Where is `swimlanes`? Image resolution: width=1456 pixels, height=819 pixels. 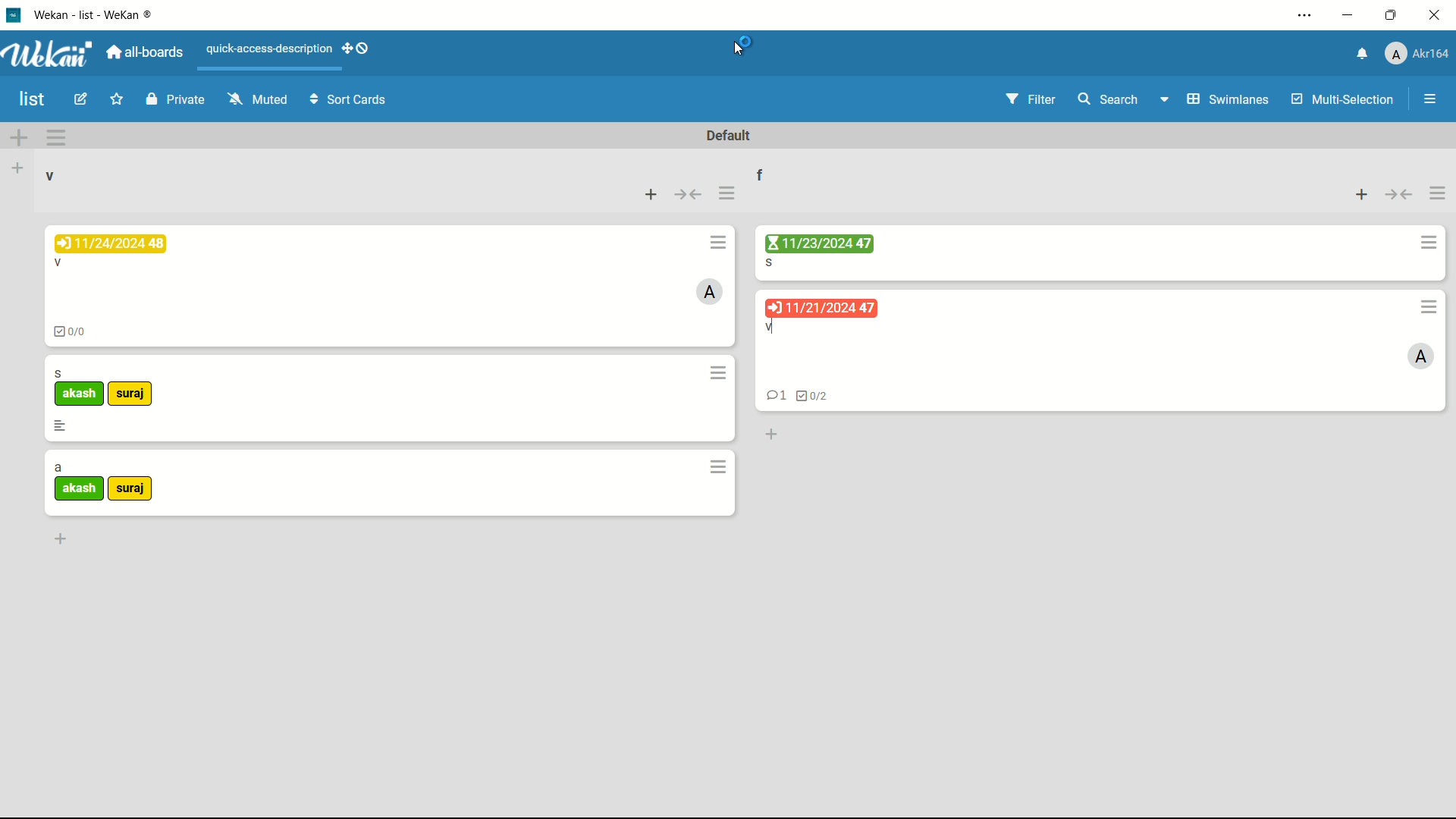
swimlanes is located at coordinates (1229, 99).